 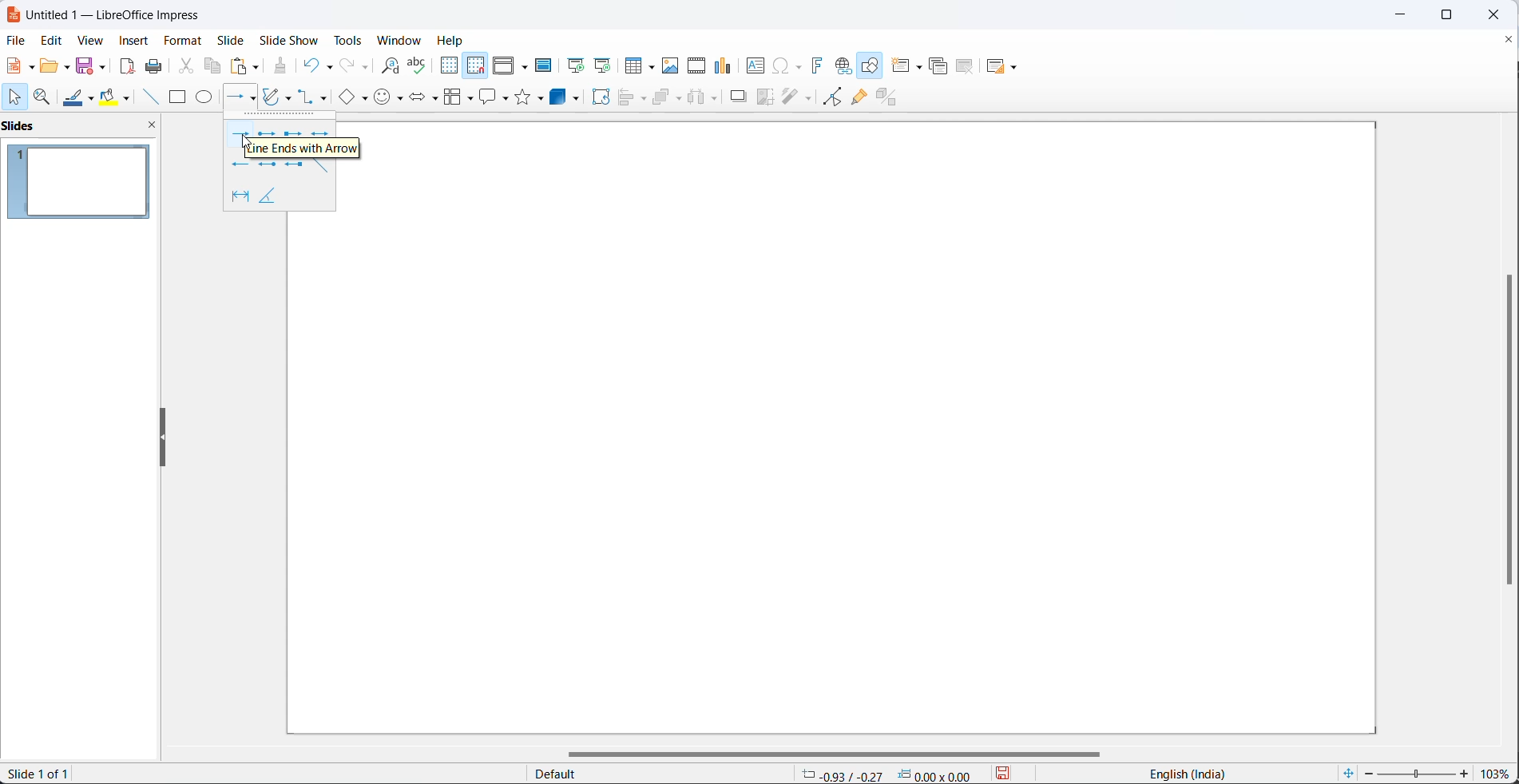 What do you see at coordinates (704, 99) in the screenshot?
I see `distribute objects` at bounding box center [704, 99].